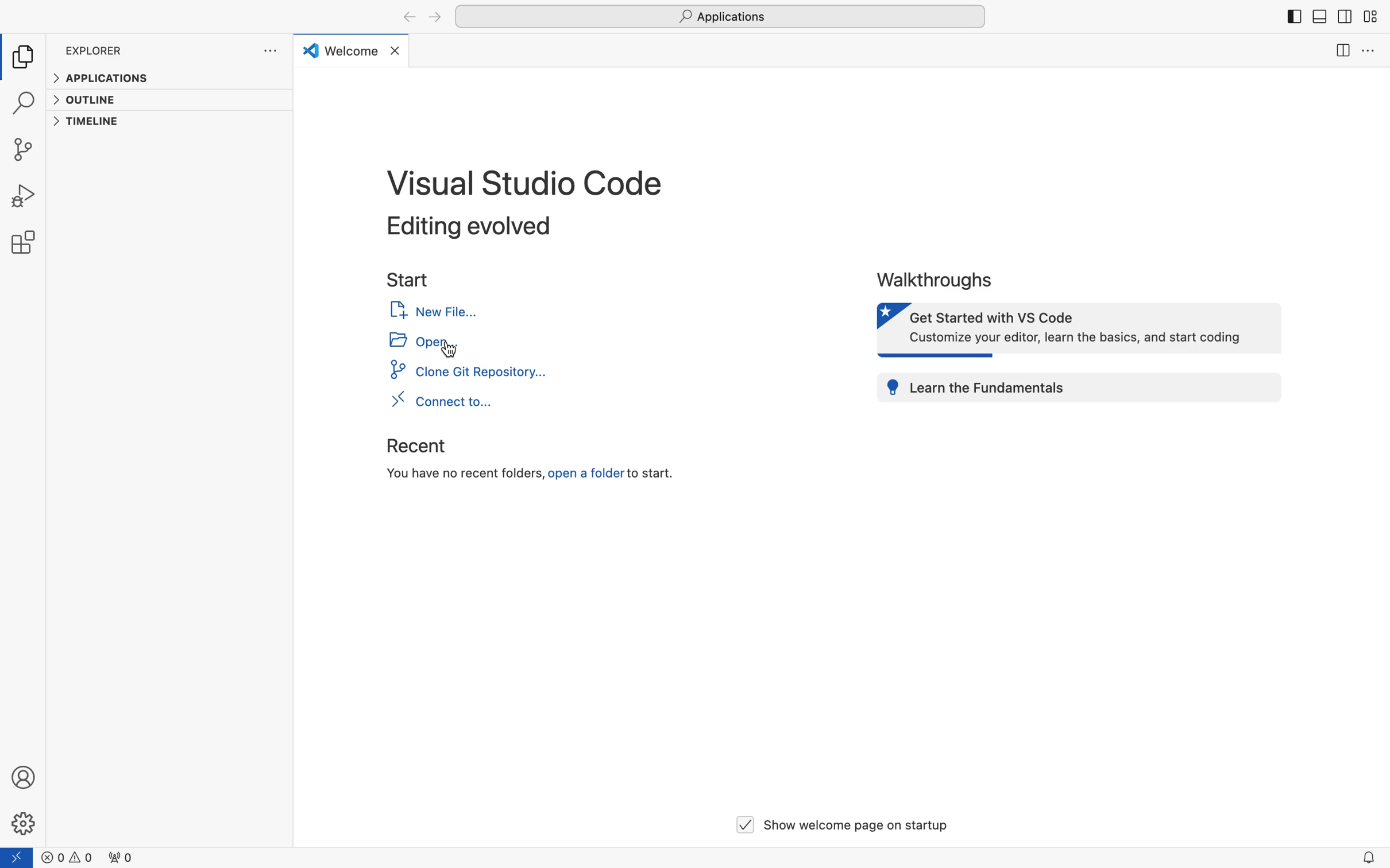 Image resolution: width=1390 pixels, height=868 pixels. What do you see at coordinates (720, 15) in the screenshot?
I see `applications` at bounding box center [720, 15].